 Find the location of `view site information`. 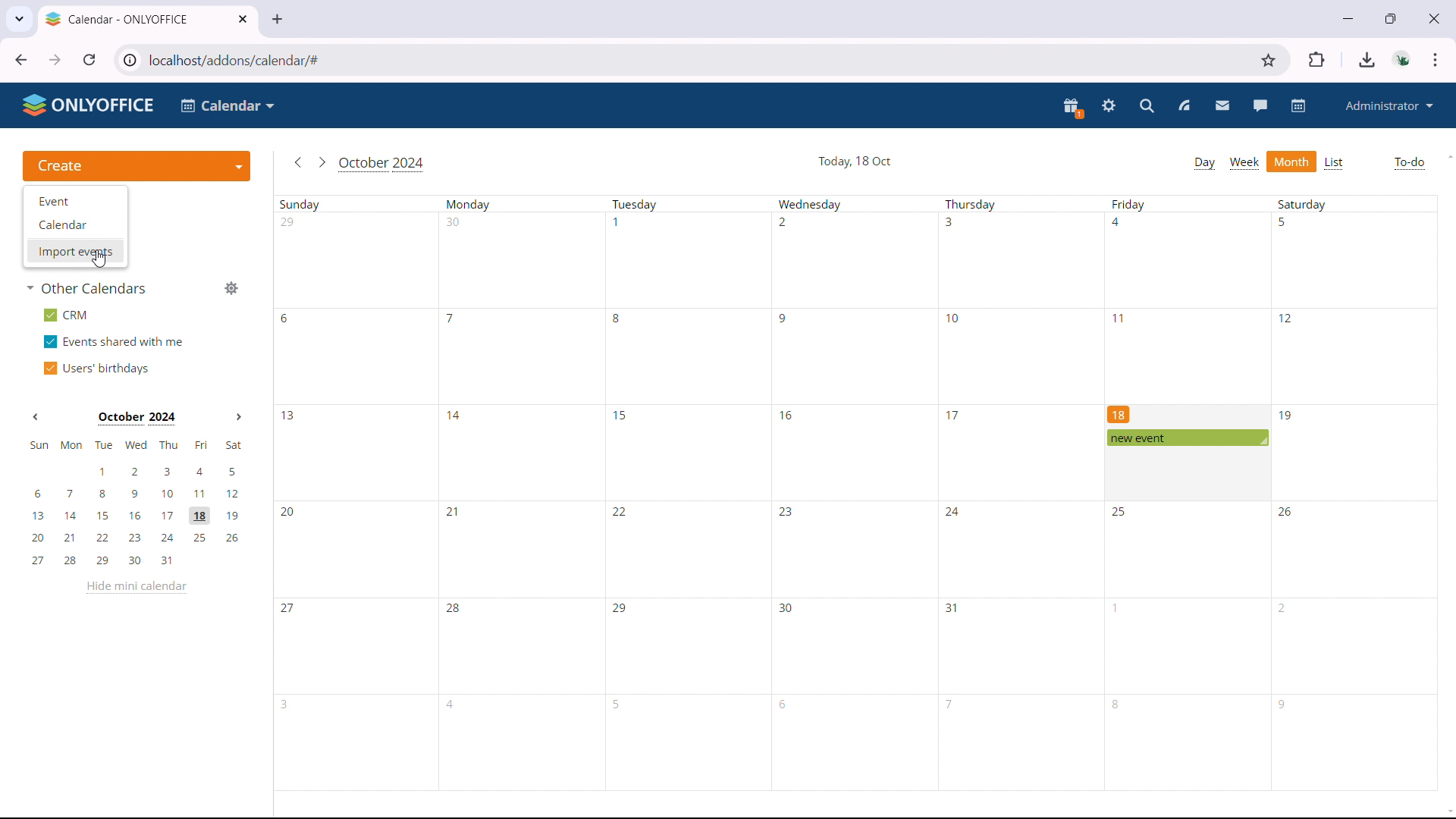

view site information is located at coordinates (128, 60).